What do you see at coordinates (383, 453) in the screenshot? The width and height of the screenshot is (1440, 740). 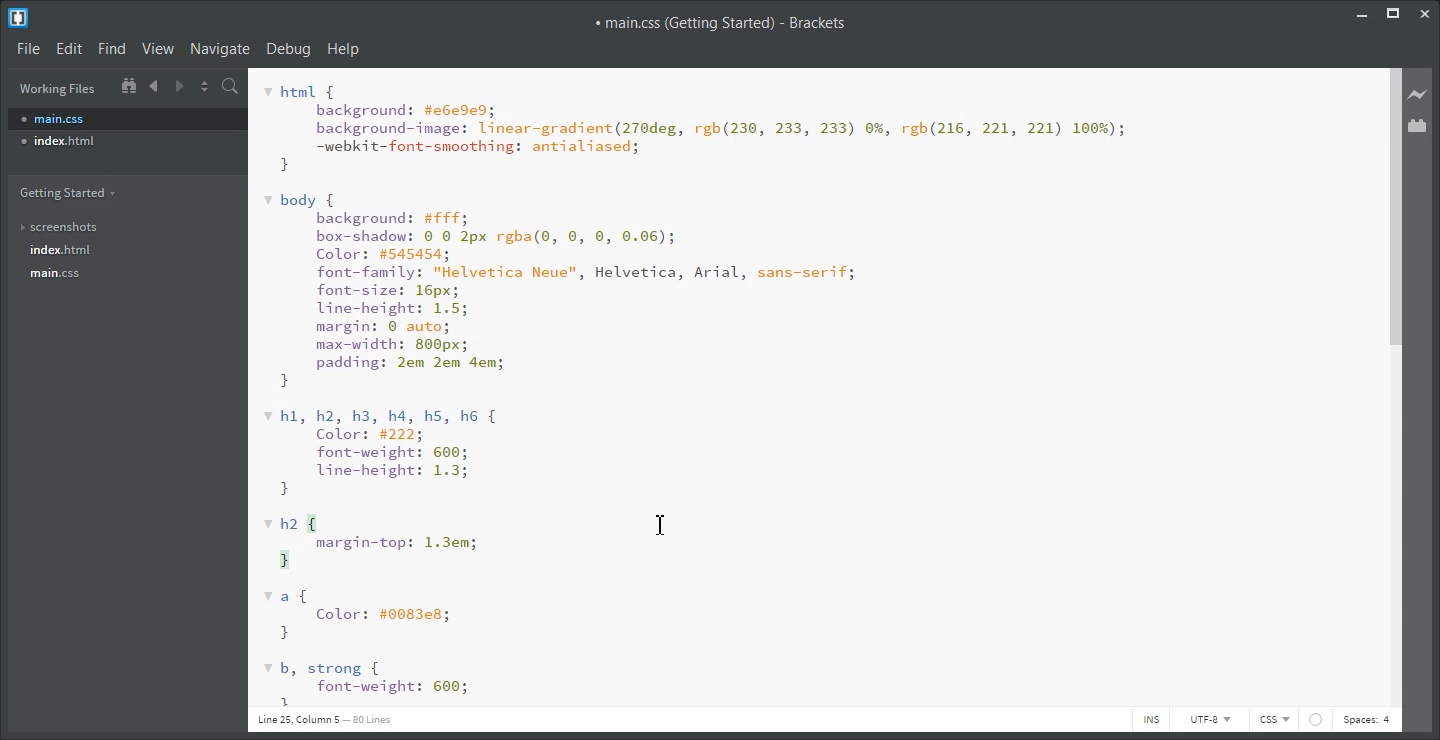 I see `hl, h2, h3, h4, hs, h6 {
Color: #222;
font-weight: 600;
line-height: 1.3;

1` at bounding box center [383, 453].